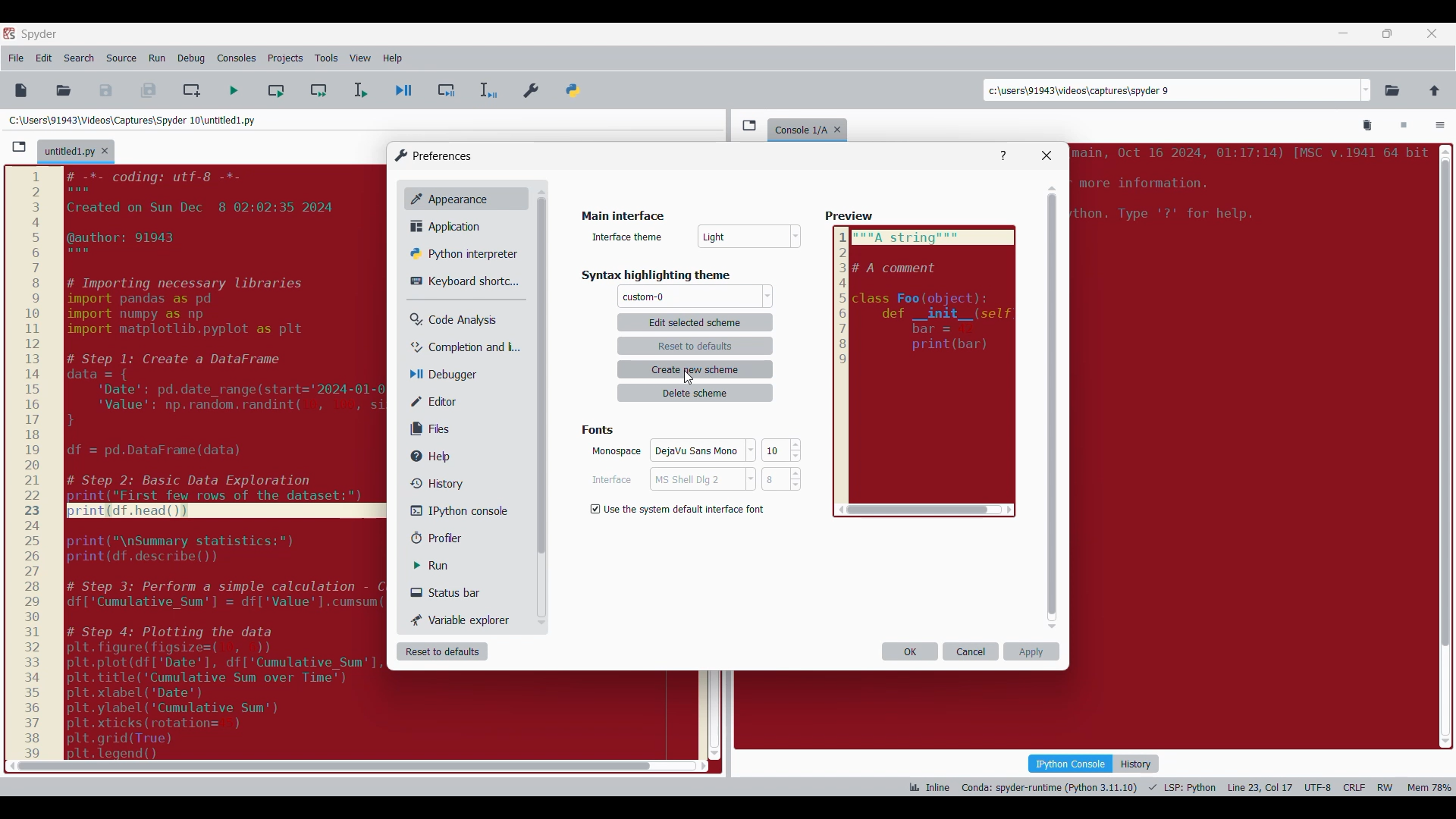  Describe the element at coordinates (465, 484) in the screenshot. I see `History` at that location.